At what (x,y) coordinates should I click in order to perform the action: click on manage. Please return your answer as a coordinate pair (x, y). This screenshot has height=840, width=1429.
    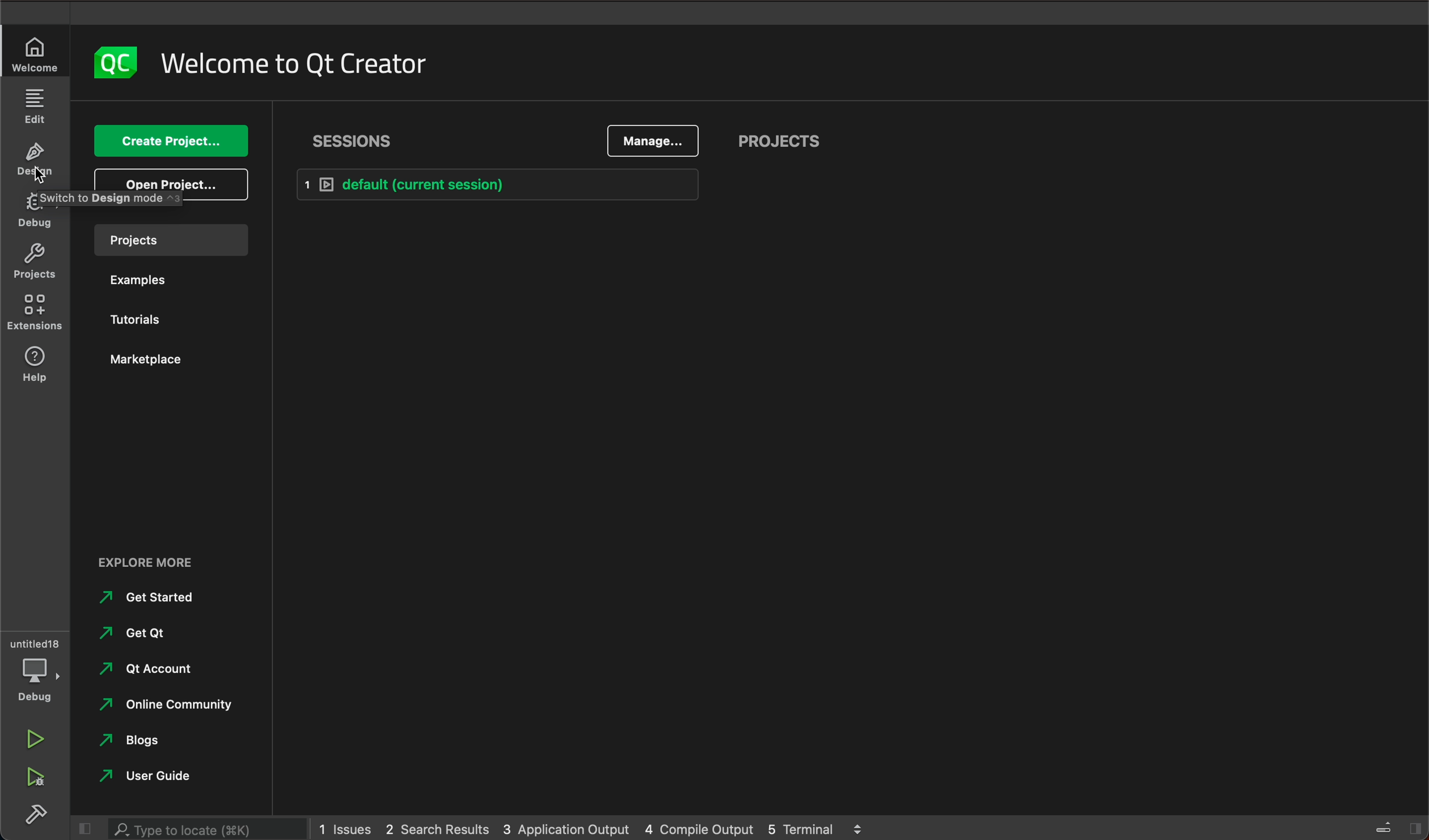
    Looking at the image, I should click on (652, 142).